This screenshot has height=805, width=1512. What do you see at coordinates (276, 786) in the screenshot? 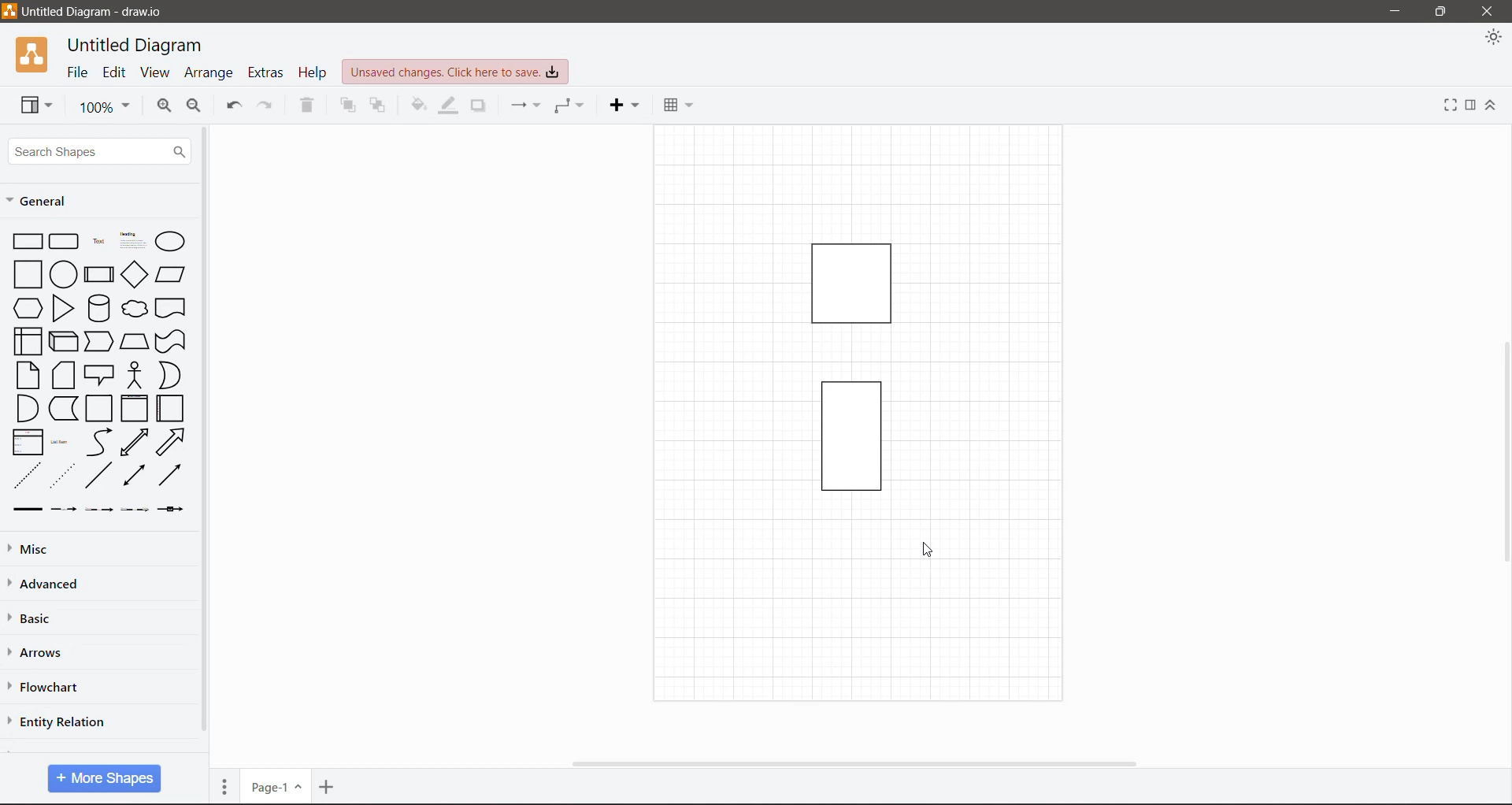
I see `Page Number` at bounding box center [276, 786].